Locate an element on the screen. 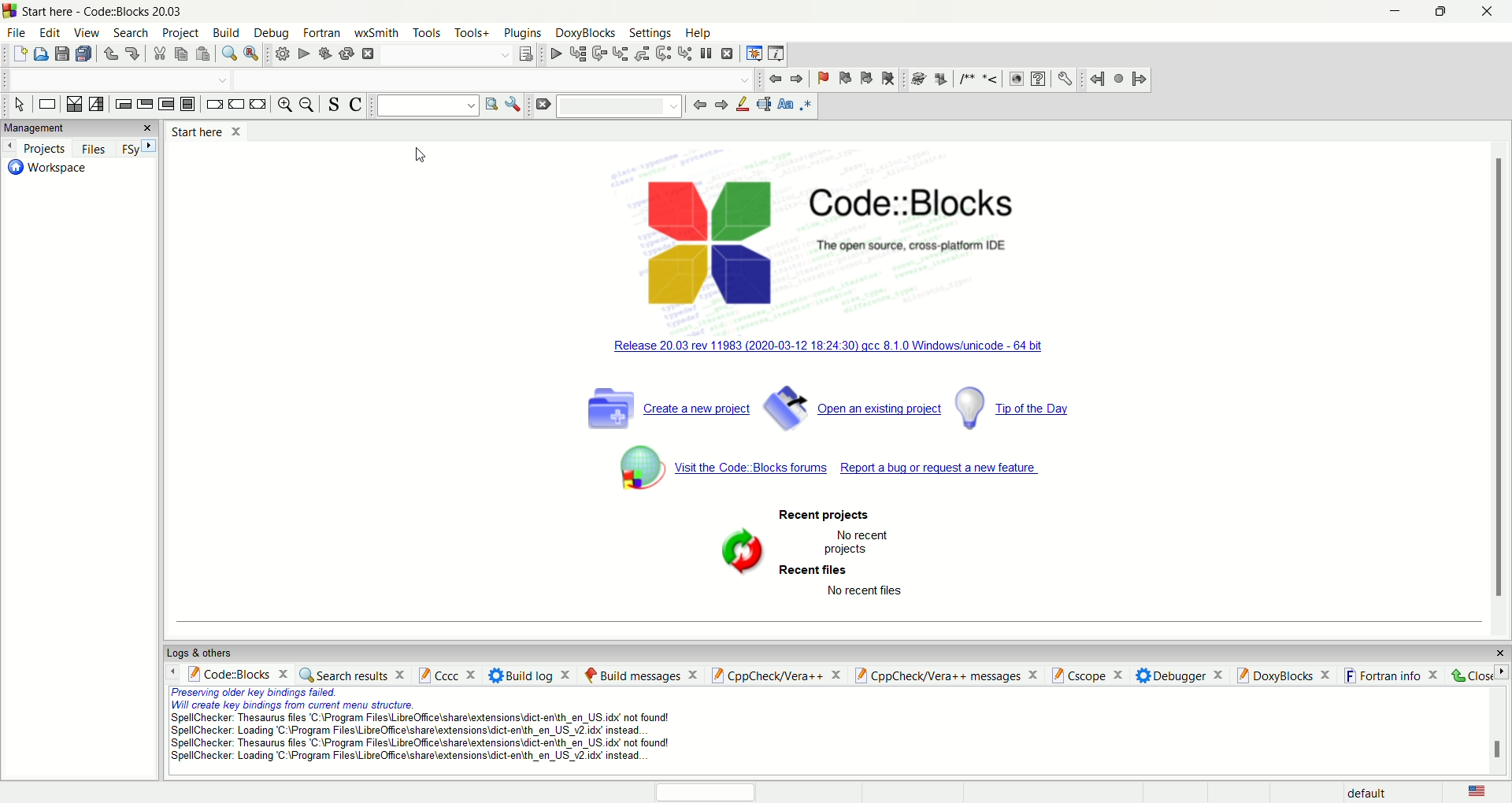  step out is located at coordinates (643, 54).